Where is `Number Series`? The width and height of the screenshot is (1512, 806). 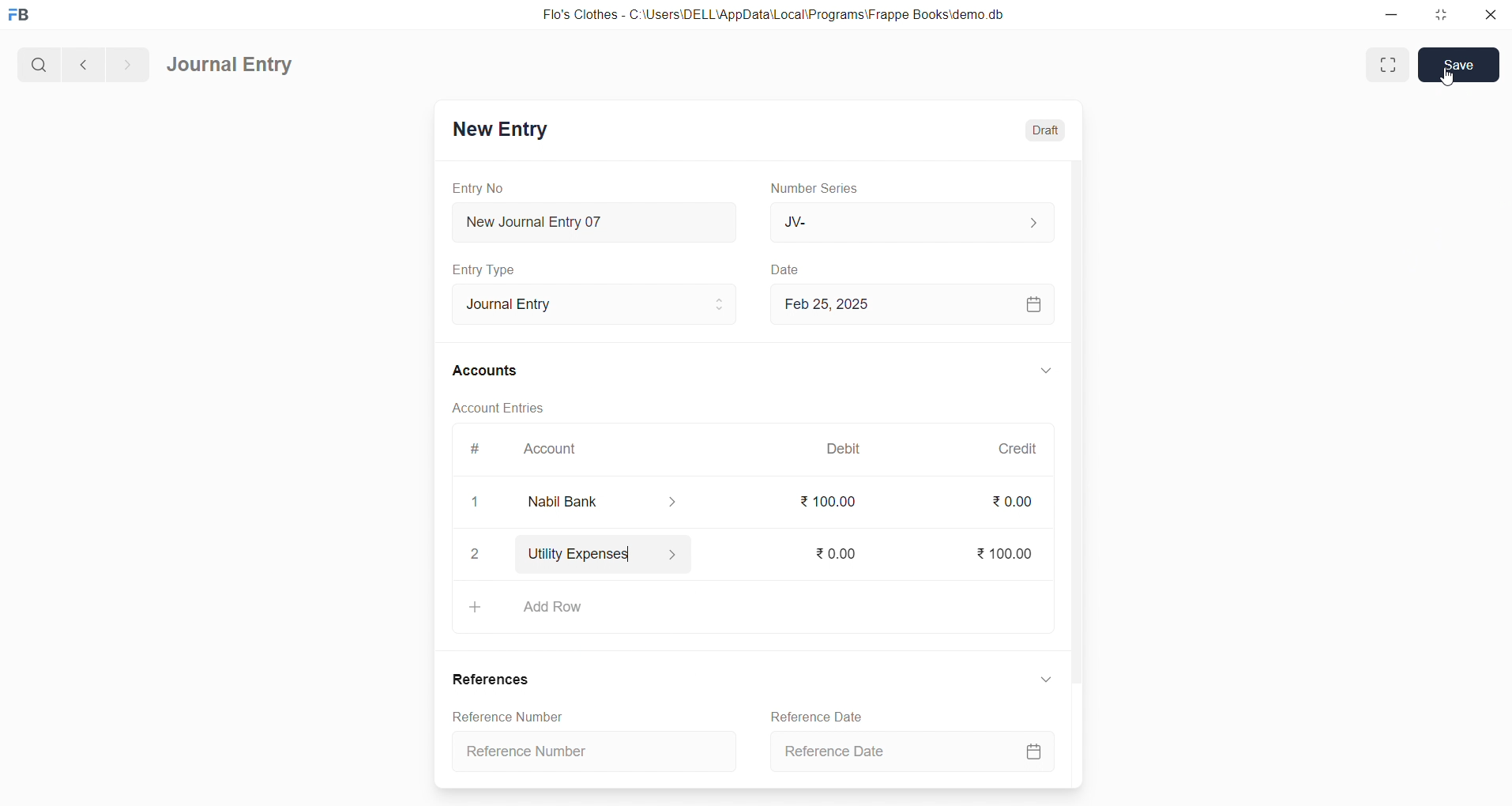 Number Series is located at coordinates (819, 189).